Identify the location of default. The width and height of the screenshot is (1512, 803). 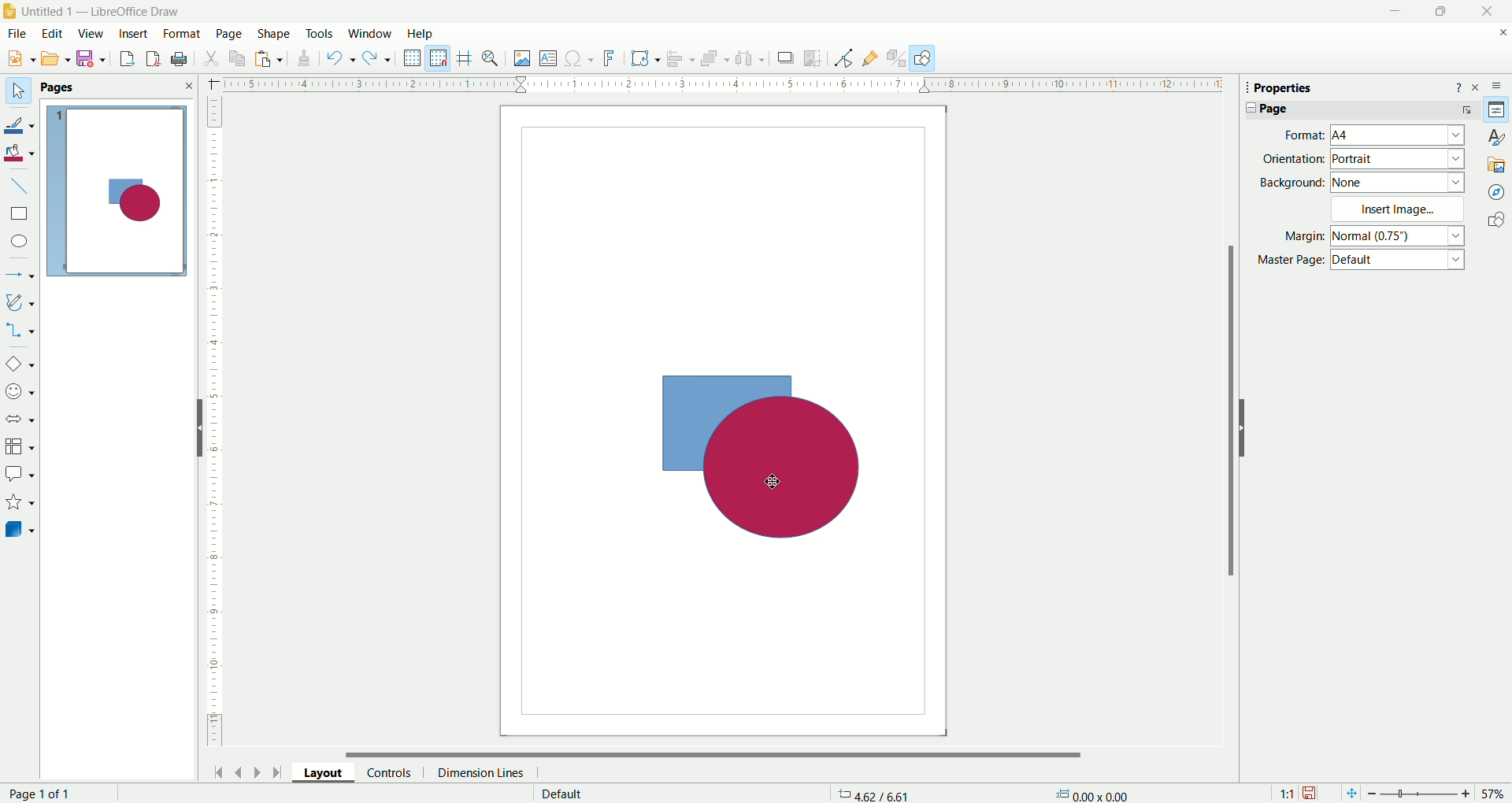
(557, 794).